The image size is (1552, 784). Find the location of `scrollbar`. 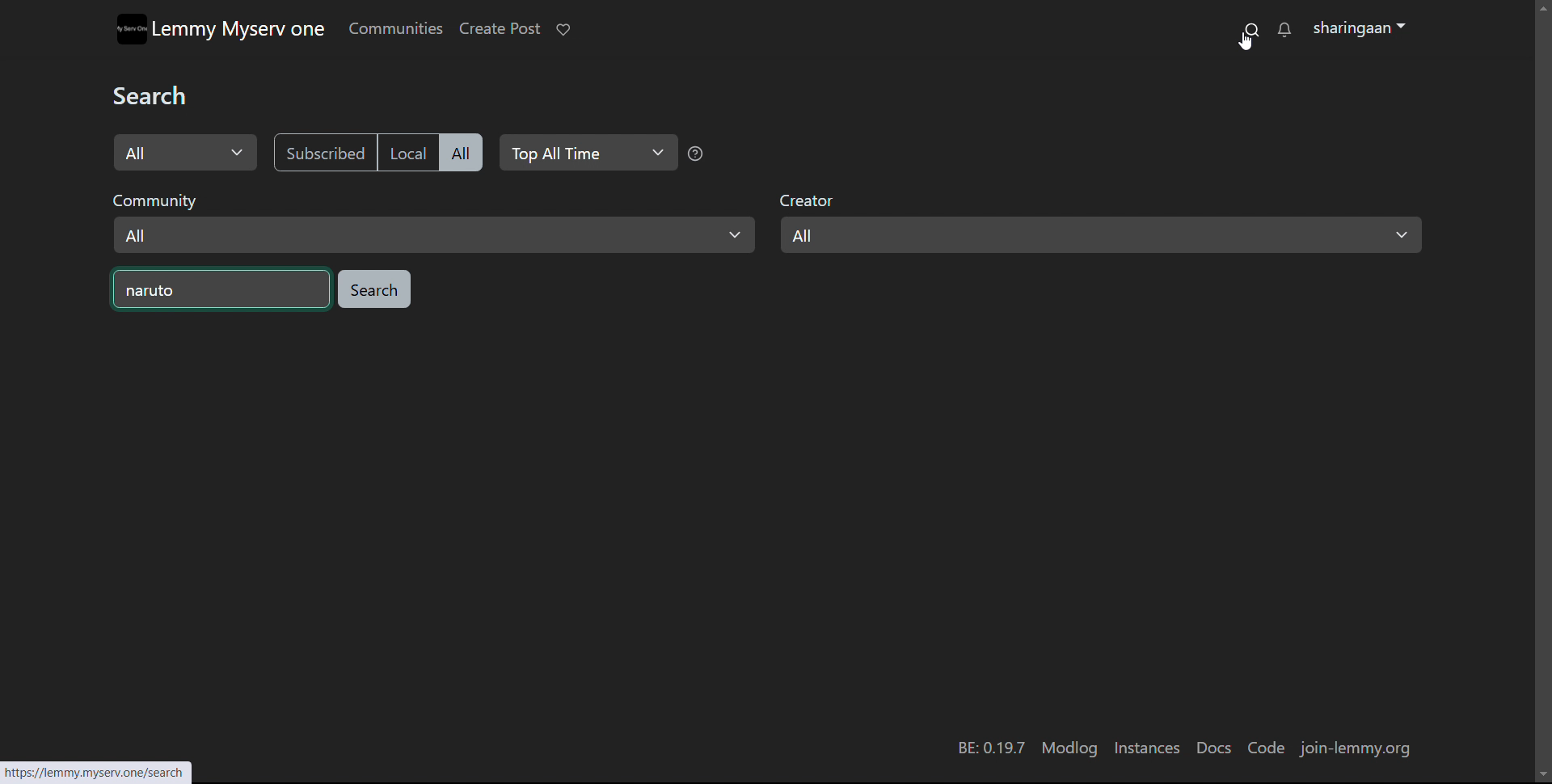

scrollbar is located at coordinates (1541, 113).